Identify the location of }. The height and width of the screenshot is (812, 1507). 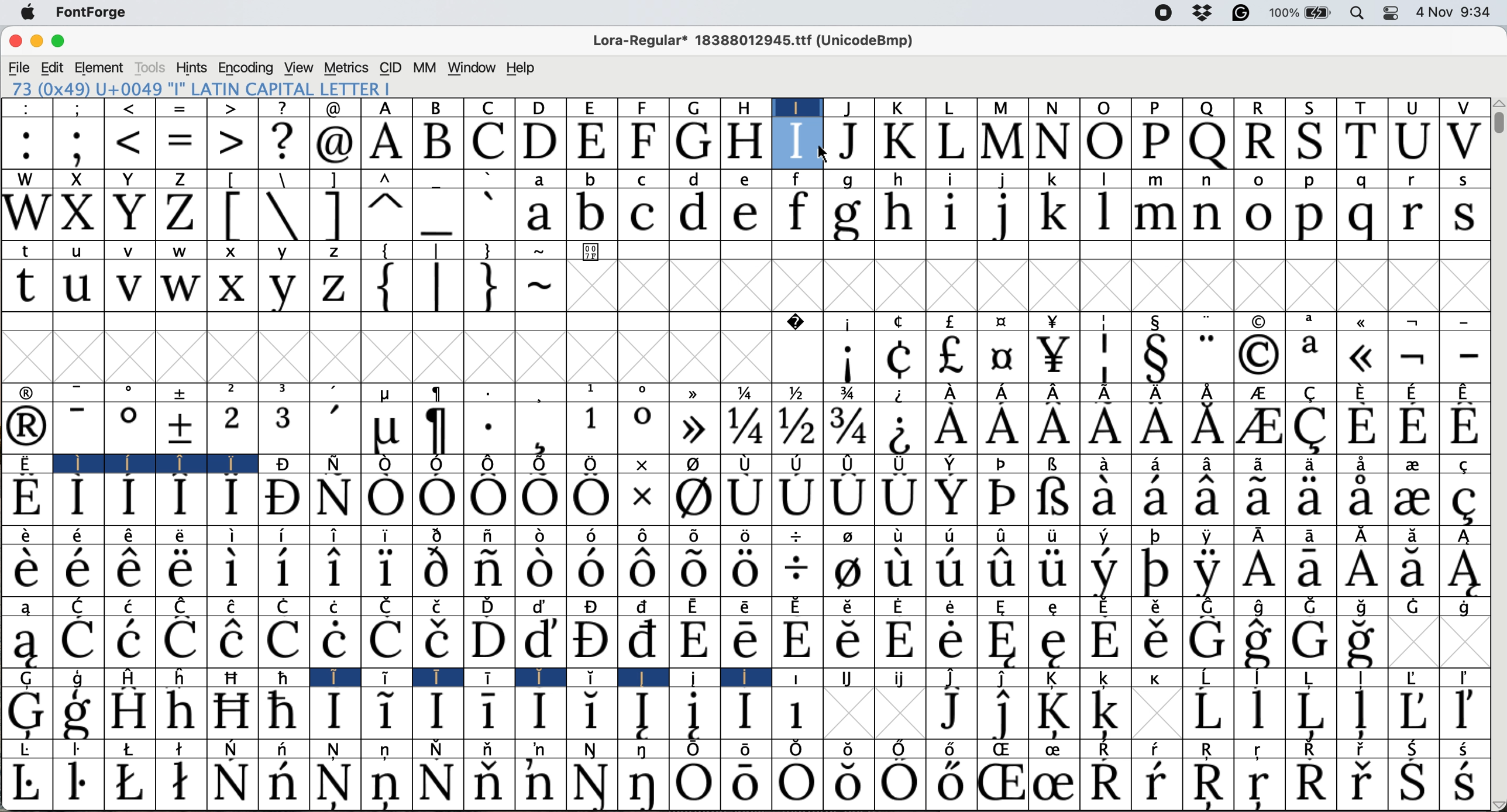
(486, 250).